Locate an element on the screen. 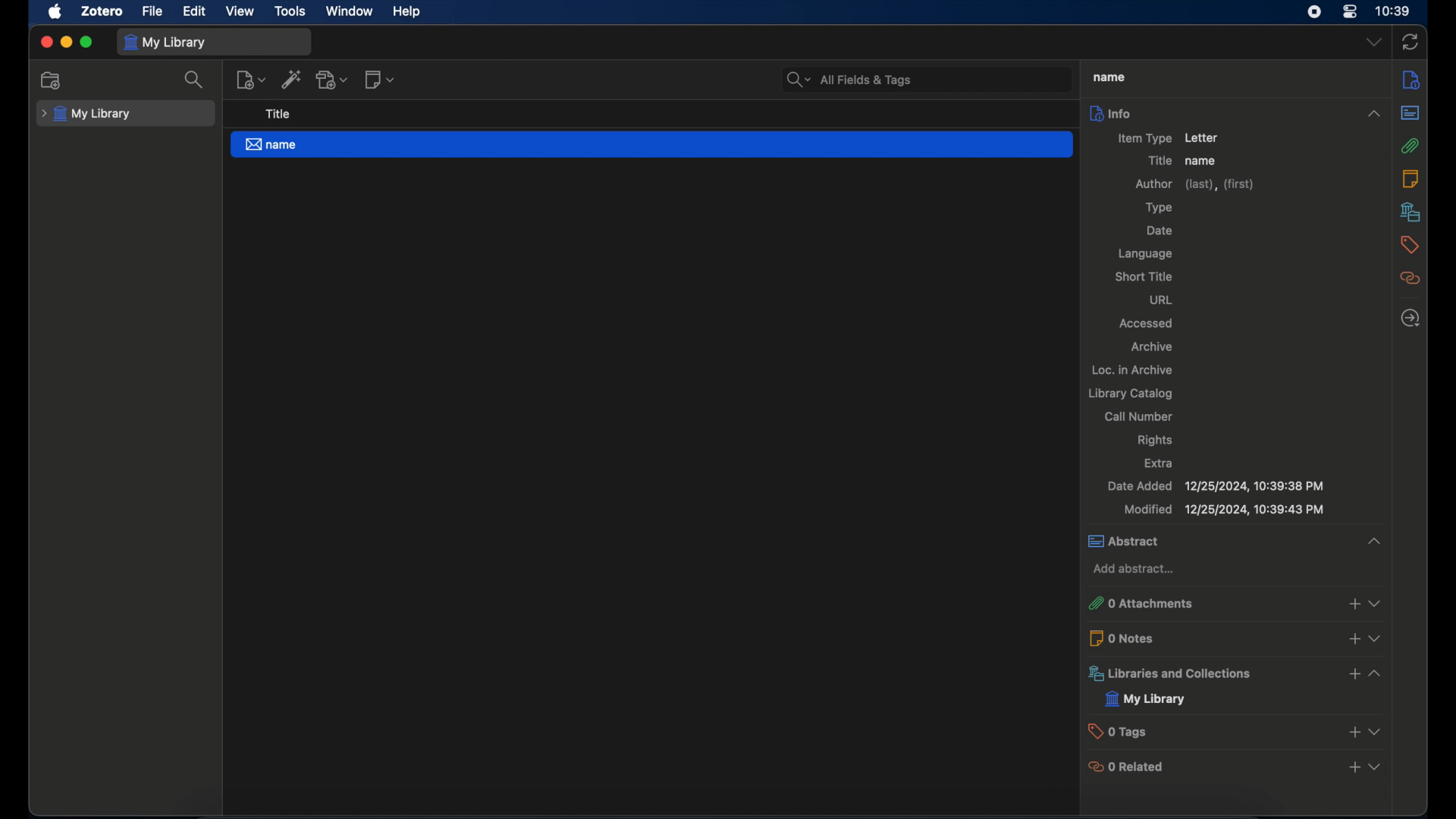 This screenshot has width=1456, height=819. call number is located at coordinates (1139, 416).